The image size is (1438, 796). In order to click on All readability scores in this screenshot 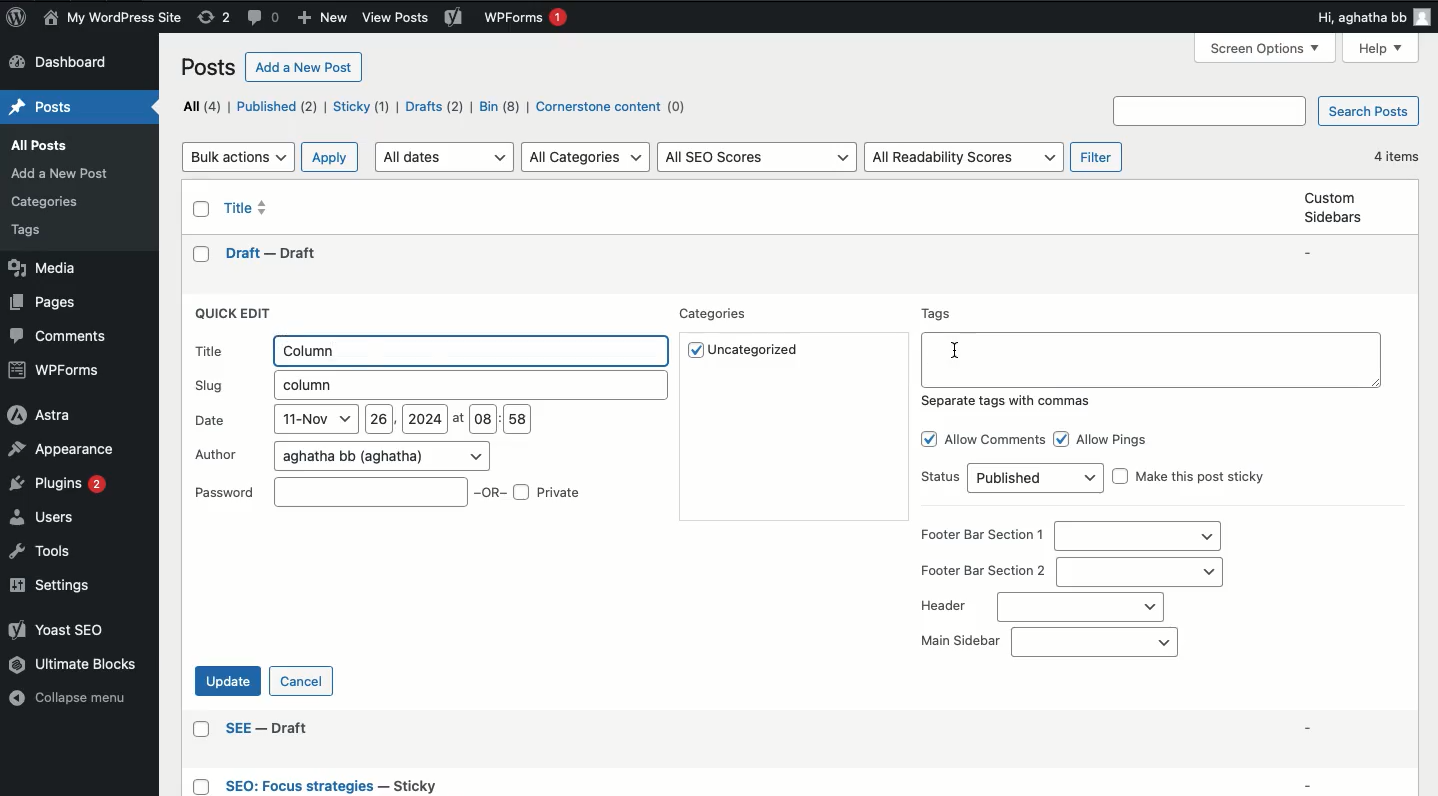, I will do `click(963, 156)`.